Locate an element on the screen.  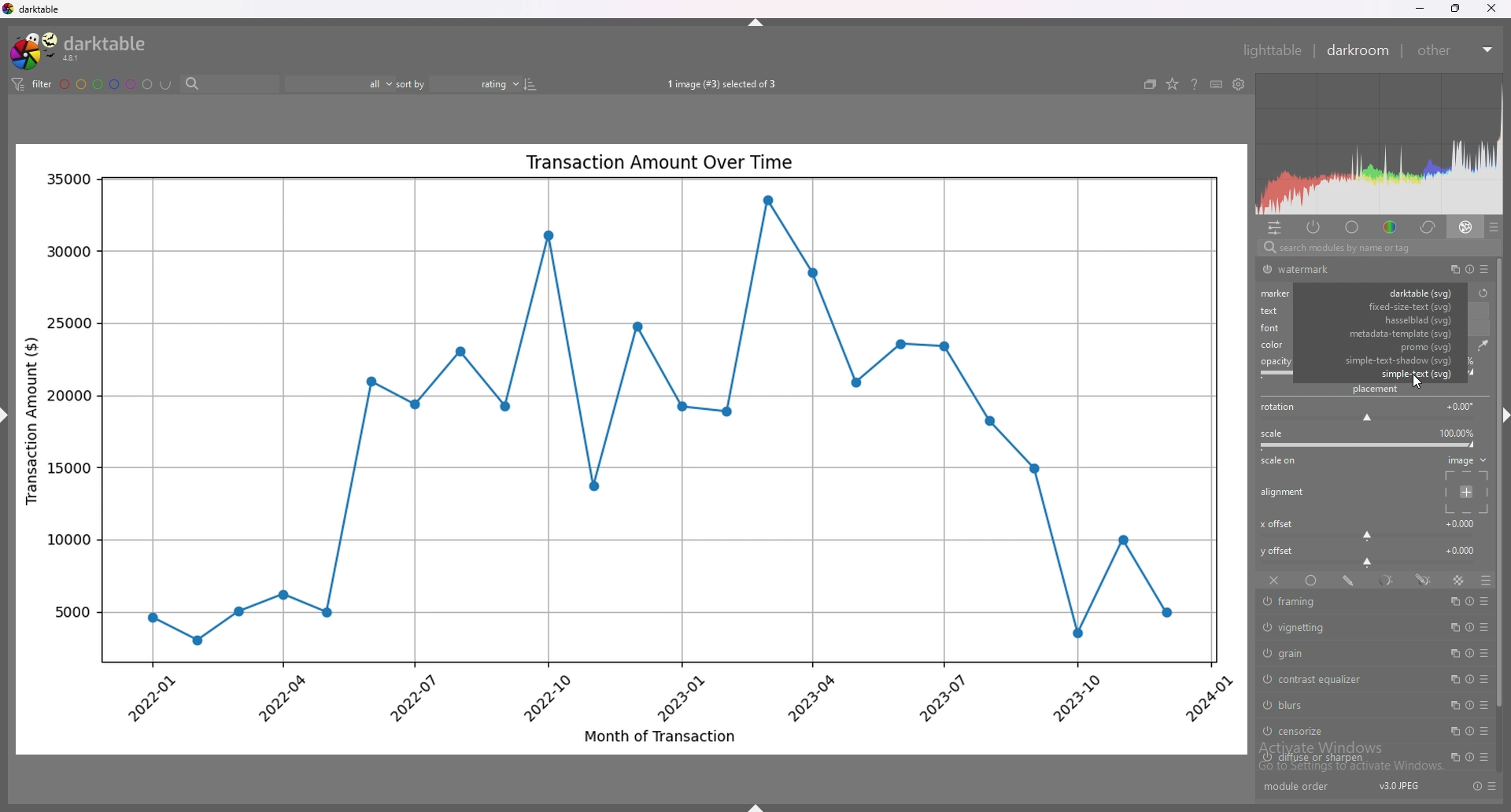
filter is located at coordinates (34, 85).